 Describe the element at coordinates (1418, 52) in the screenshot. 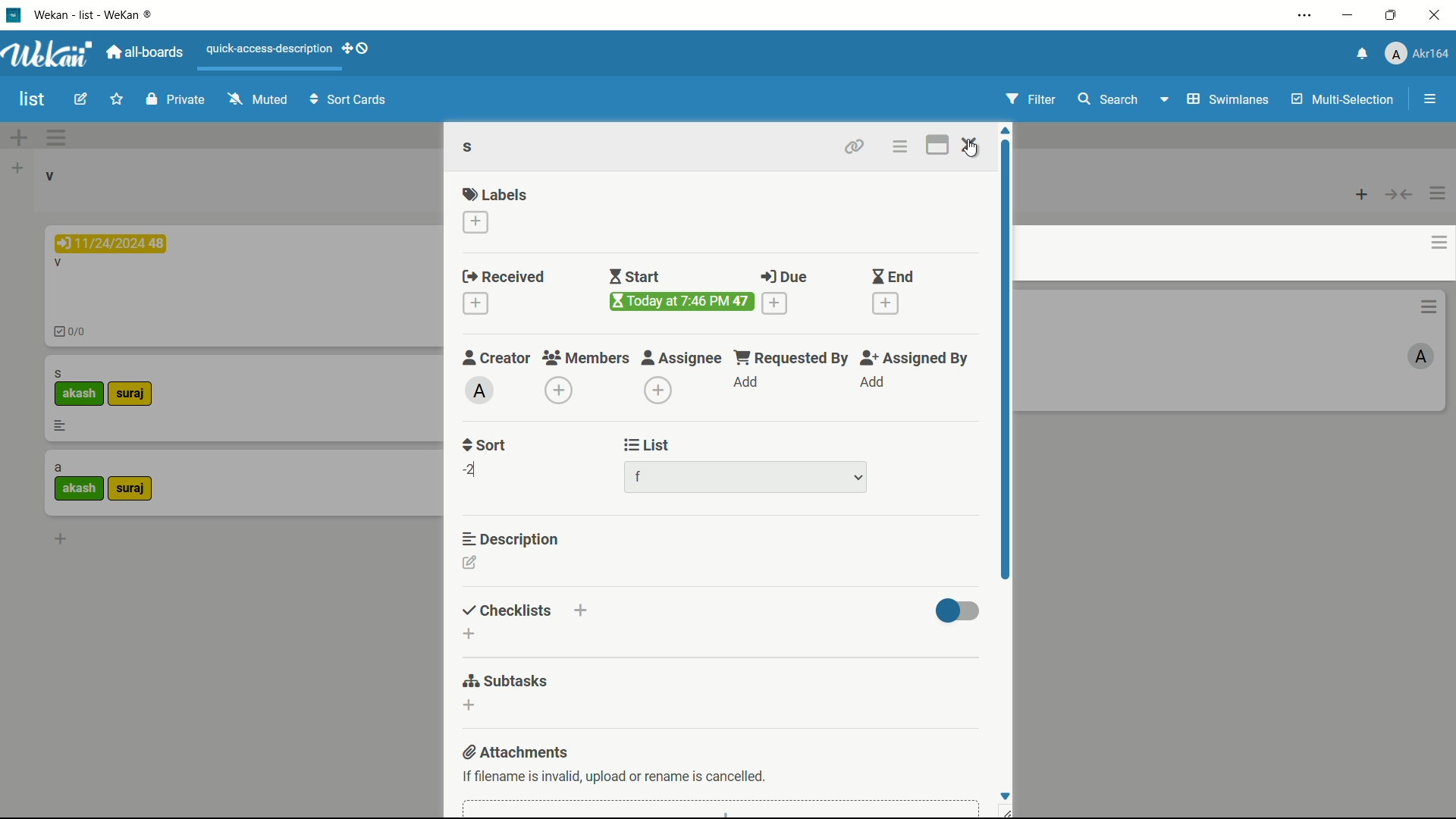

I see `profile` at that location.